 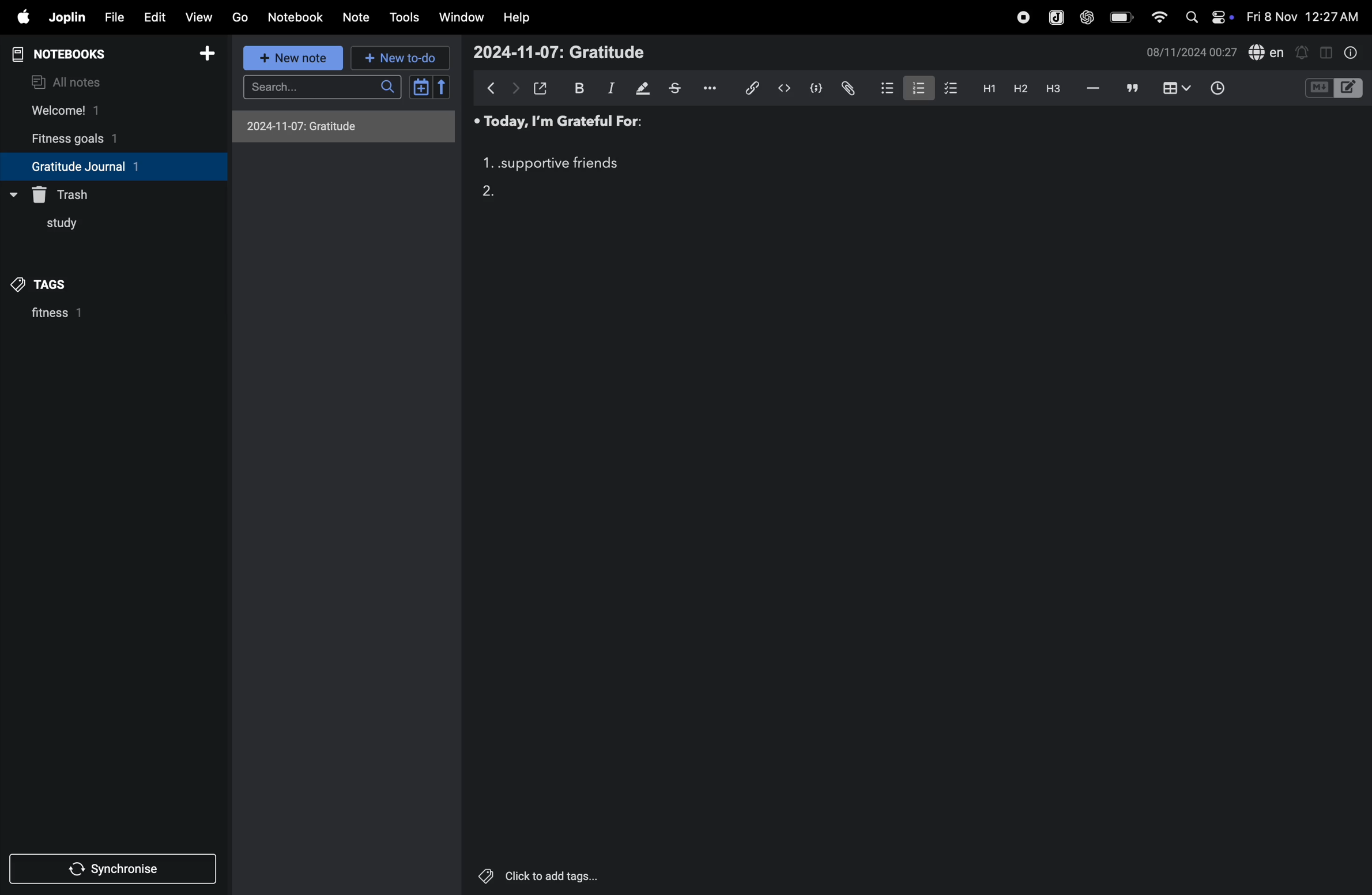 I want to click on insert sedit link, so click(x=752, y=88).